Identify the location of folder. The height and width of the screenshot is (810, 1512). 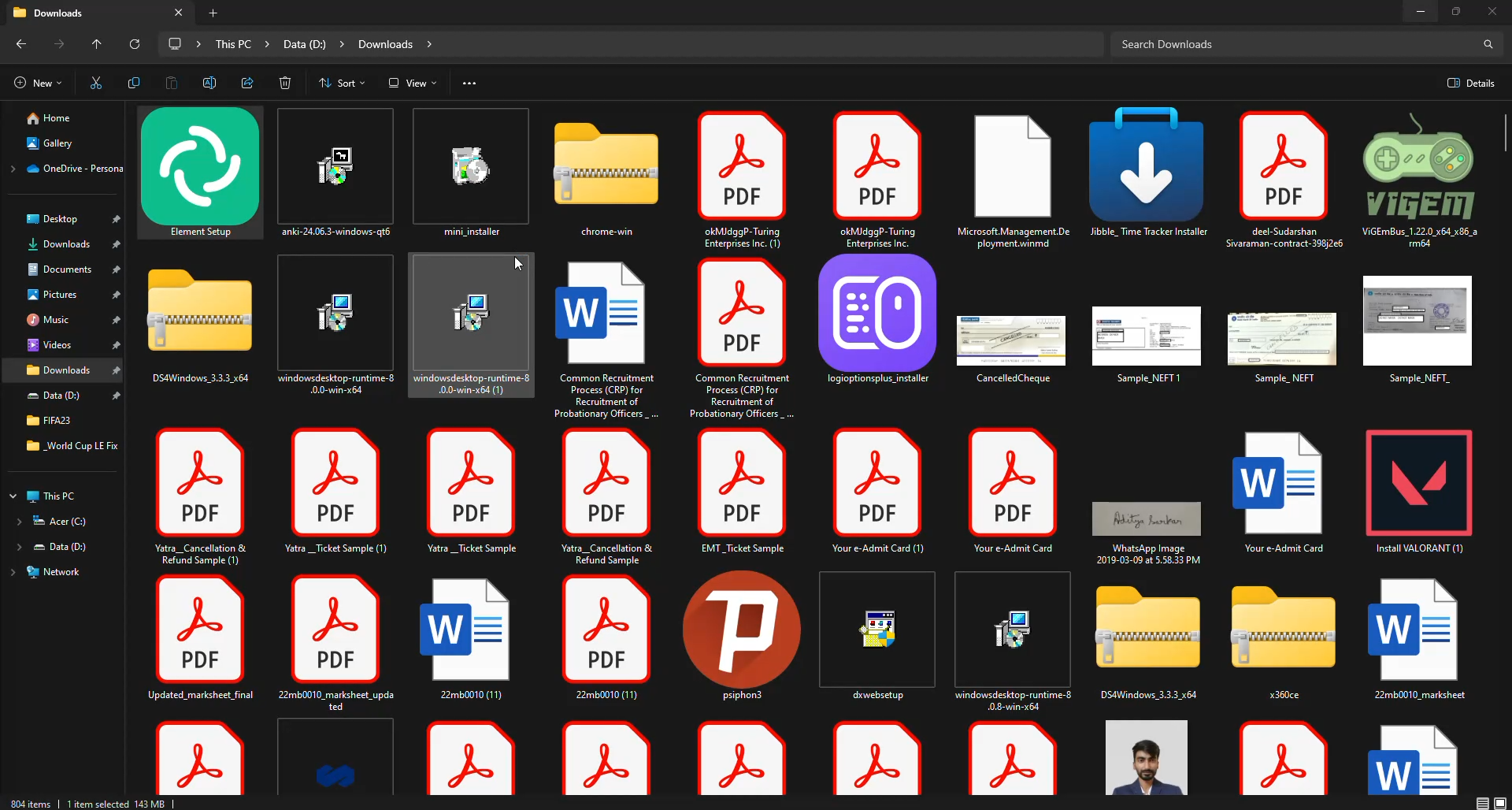
(1152, 641).